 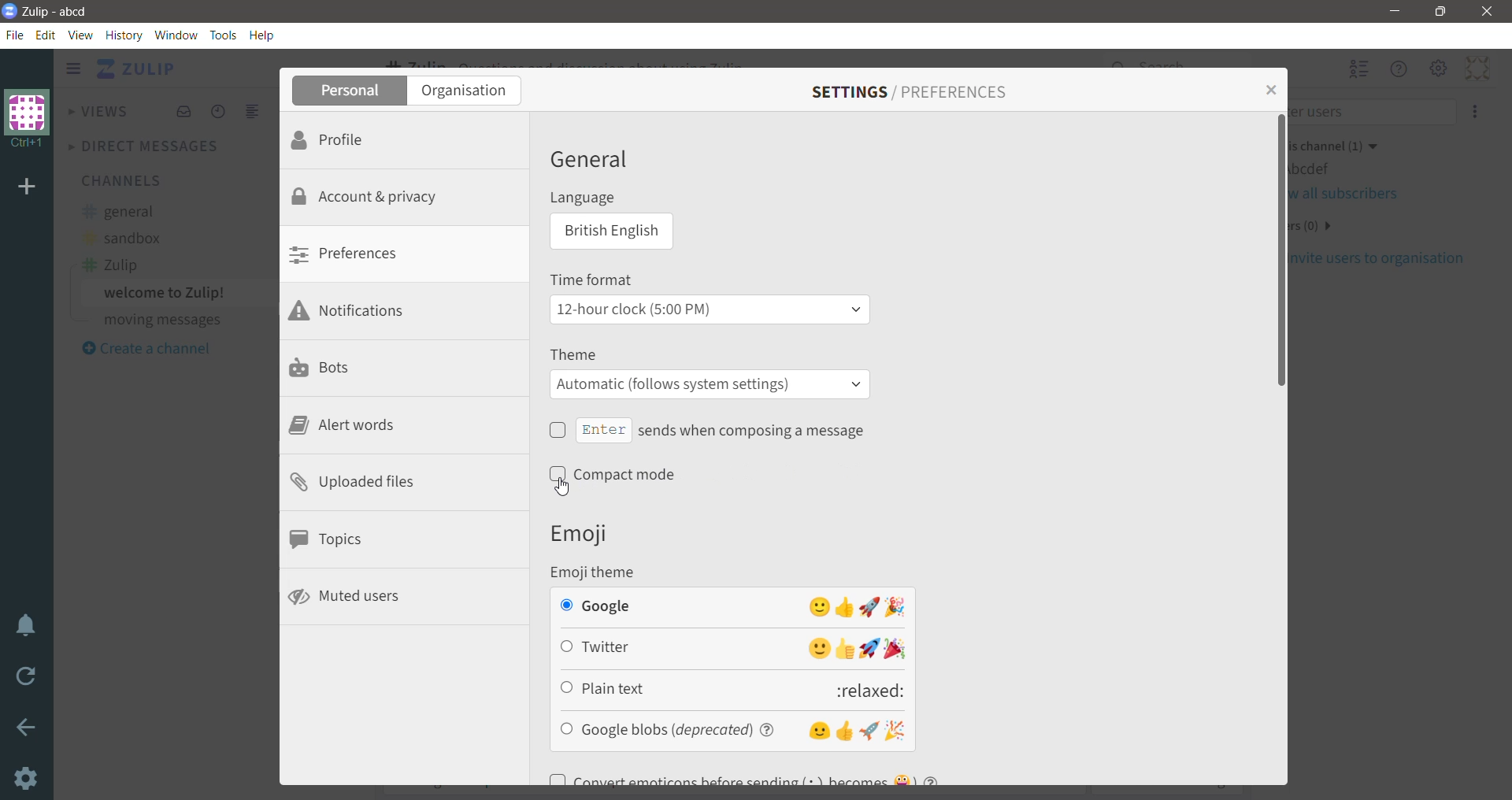 What do you see at coordinates (120, 180) in the screenshot?
I see `Channels` at bounding box center [120, 180].